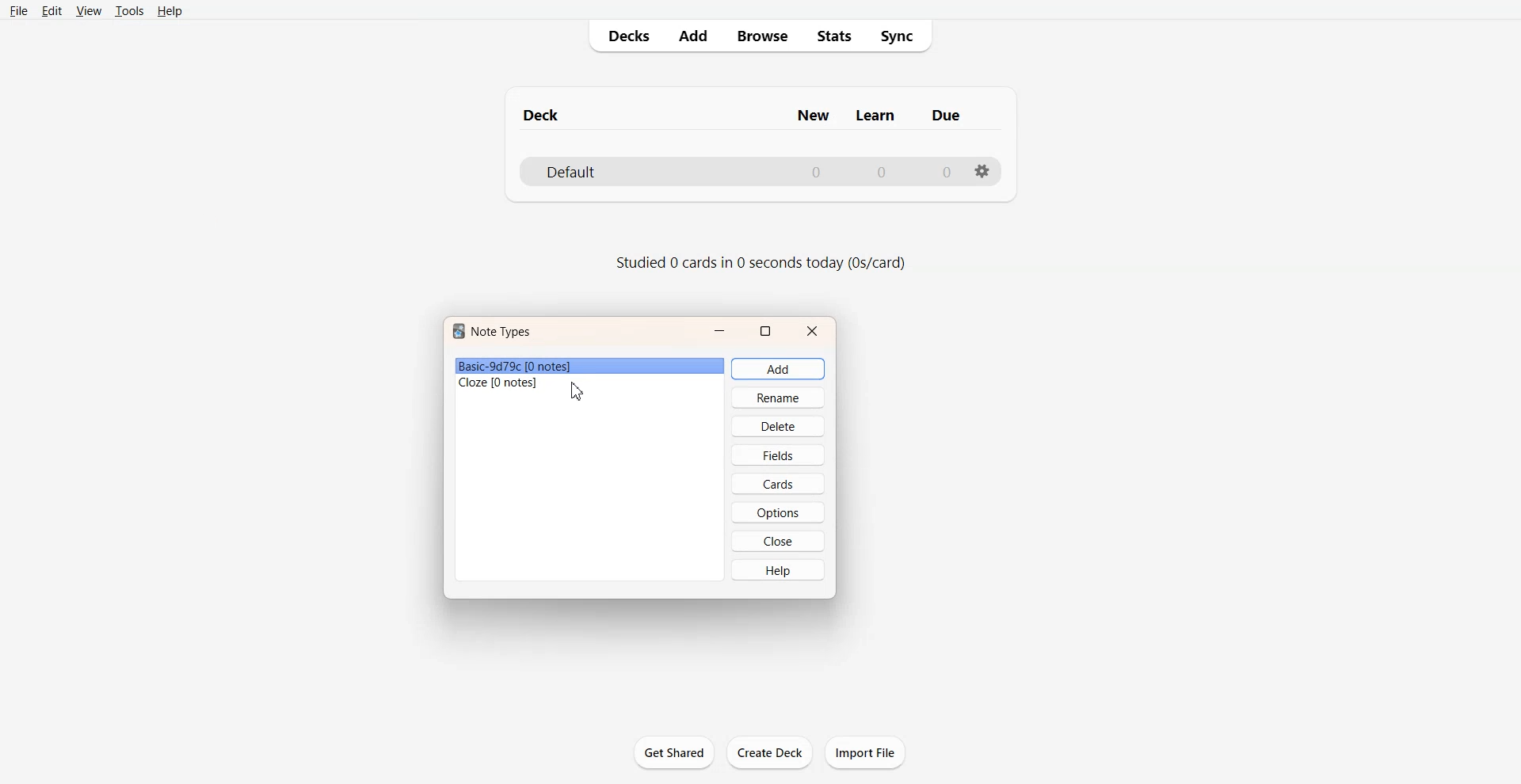 The image size is (1521, 784). I want to click on Browse, so click(761, 36).